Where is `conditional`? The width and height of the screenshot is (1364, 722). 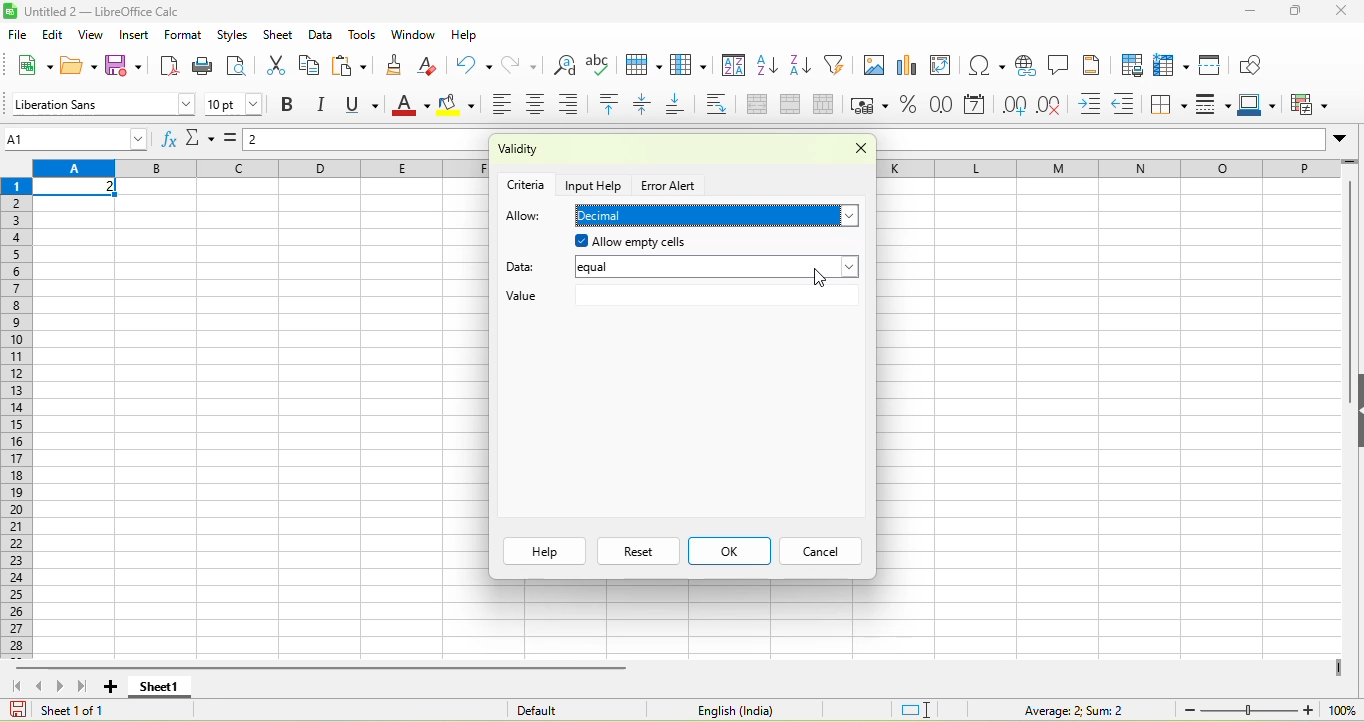
conditional is located at coordinates (1312, 104).